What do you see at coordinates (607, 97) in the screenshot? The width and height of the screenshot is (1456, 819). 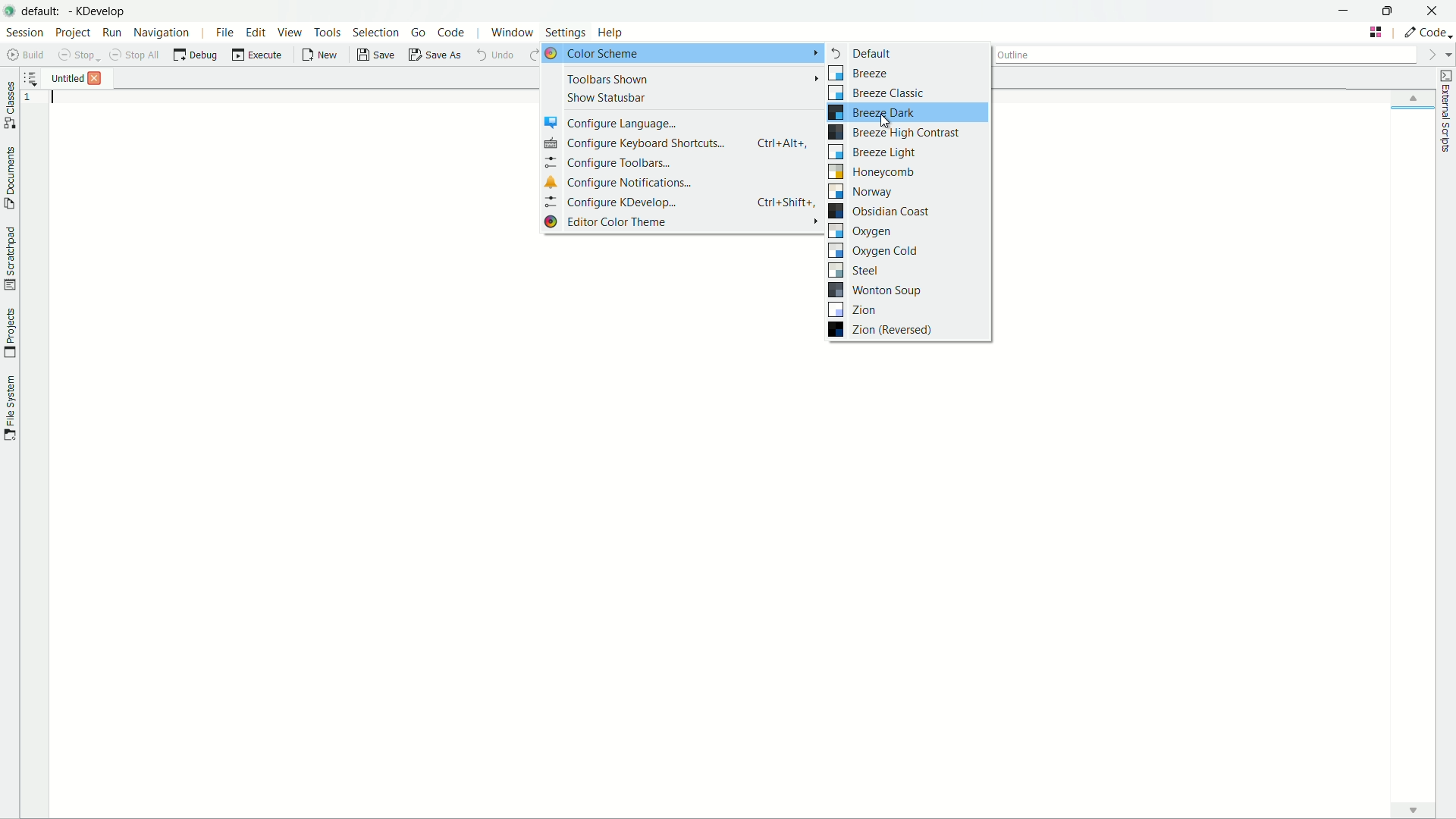 I see `show statusbar` at bounding box center [607, 97].